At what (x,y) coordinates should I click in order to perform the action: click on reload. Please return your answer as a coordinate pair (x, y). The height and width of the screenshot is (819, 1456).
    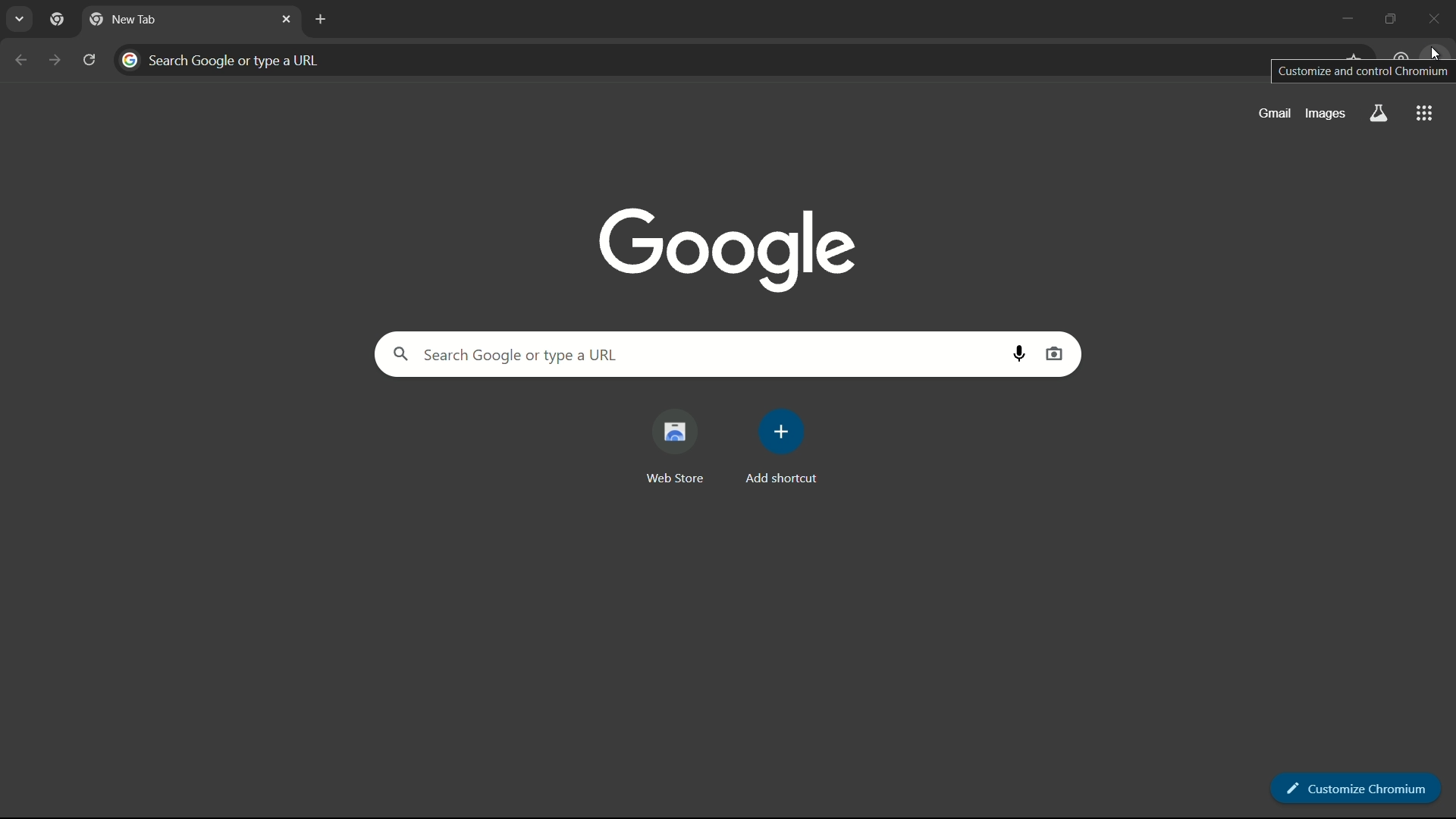
    Looking at the image, I should click on (89, 59).